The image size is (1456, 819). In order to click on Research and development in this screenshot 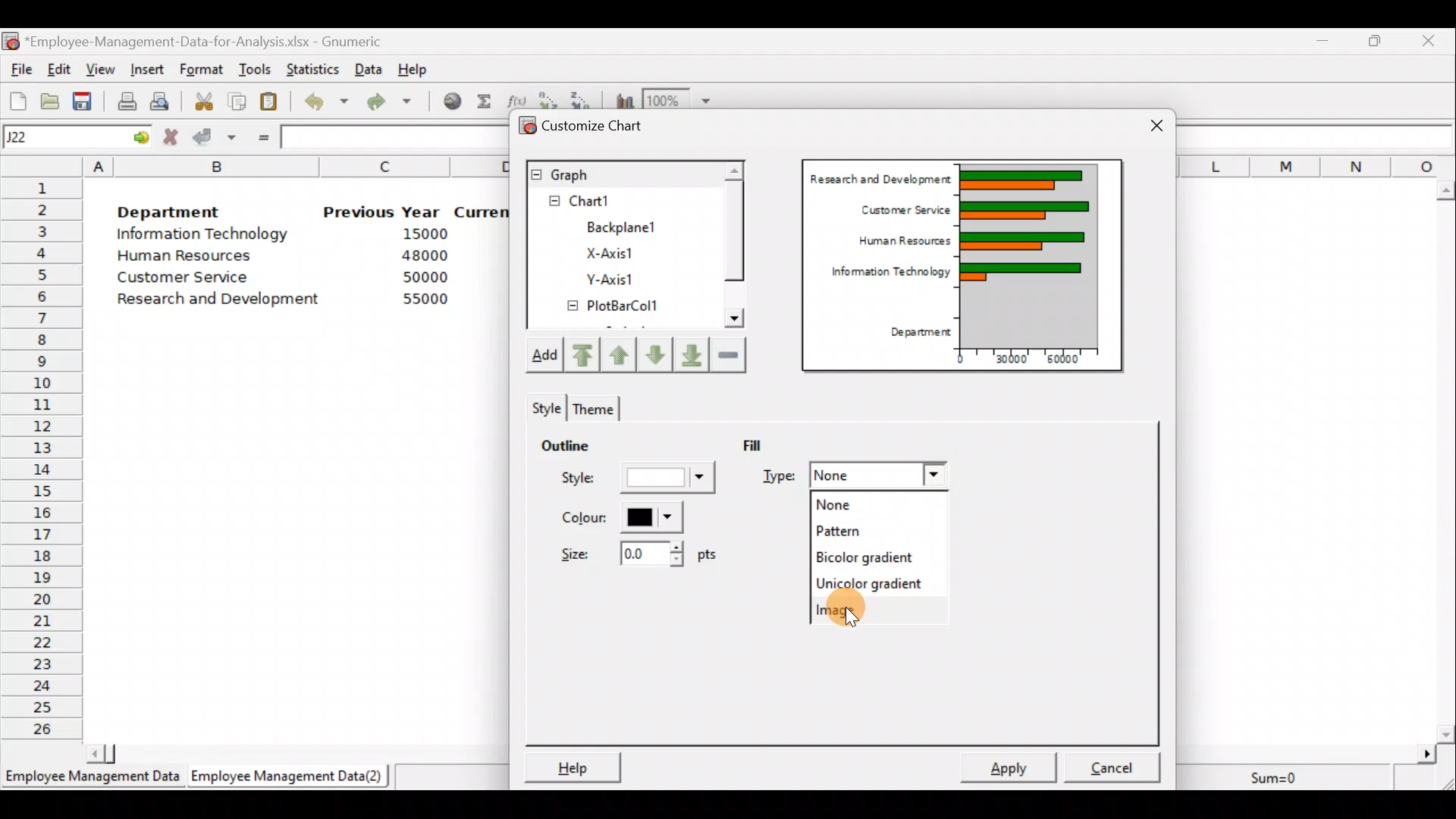, I will do `click(219, 297)`.